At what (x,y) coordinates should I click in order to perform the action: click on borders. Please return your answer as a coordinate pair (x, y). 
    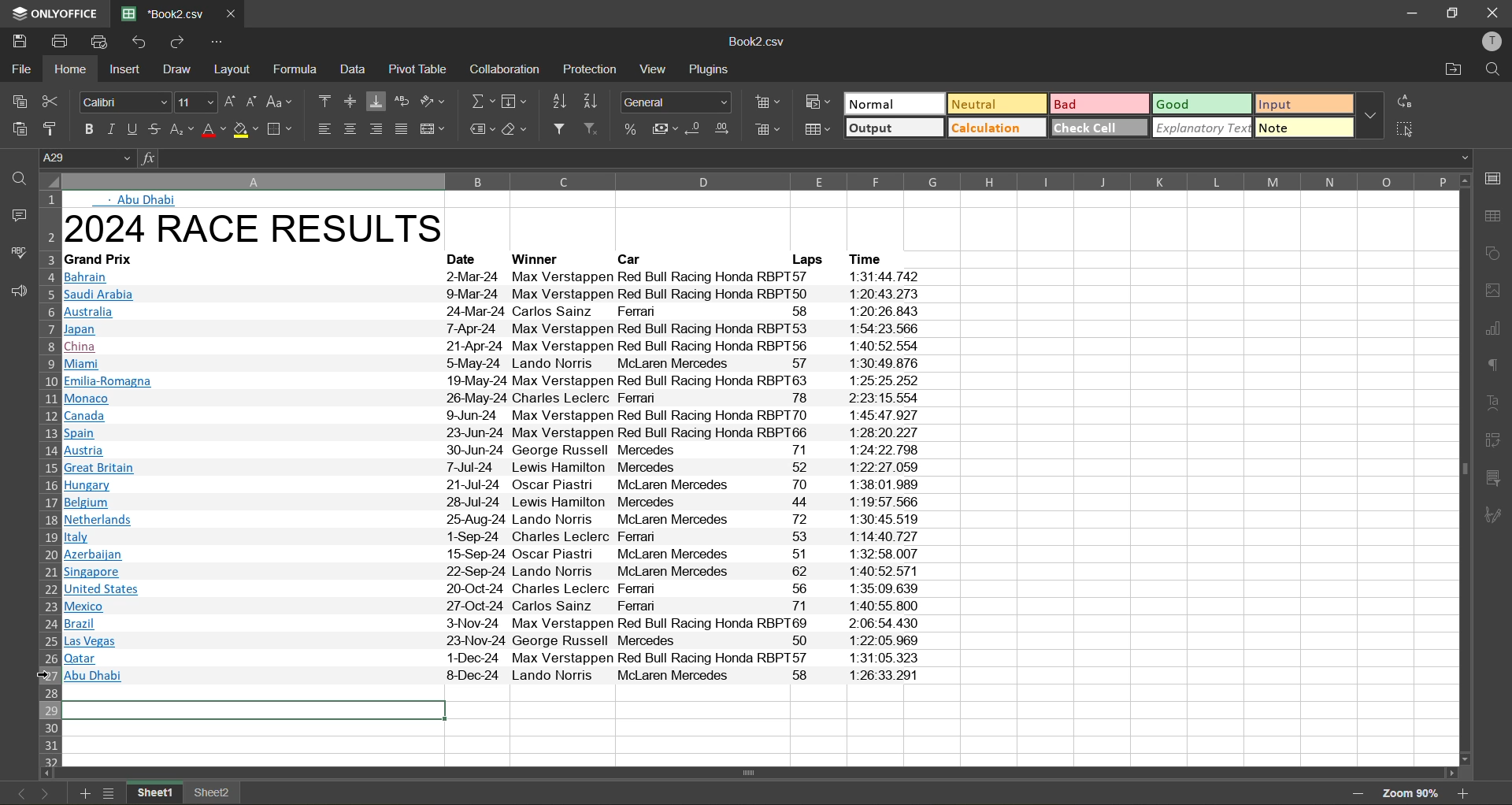
    Looking at the image, I should click on (282, 129).